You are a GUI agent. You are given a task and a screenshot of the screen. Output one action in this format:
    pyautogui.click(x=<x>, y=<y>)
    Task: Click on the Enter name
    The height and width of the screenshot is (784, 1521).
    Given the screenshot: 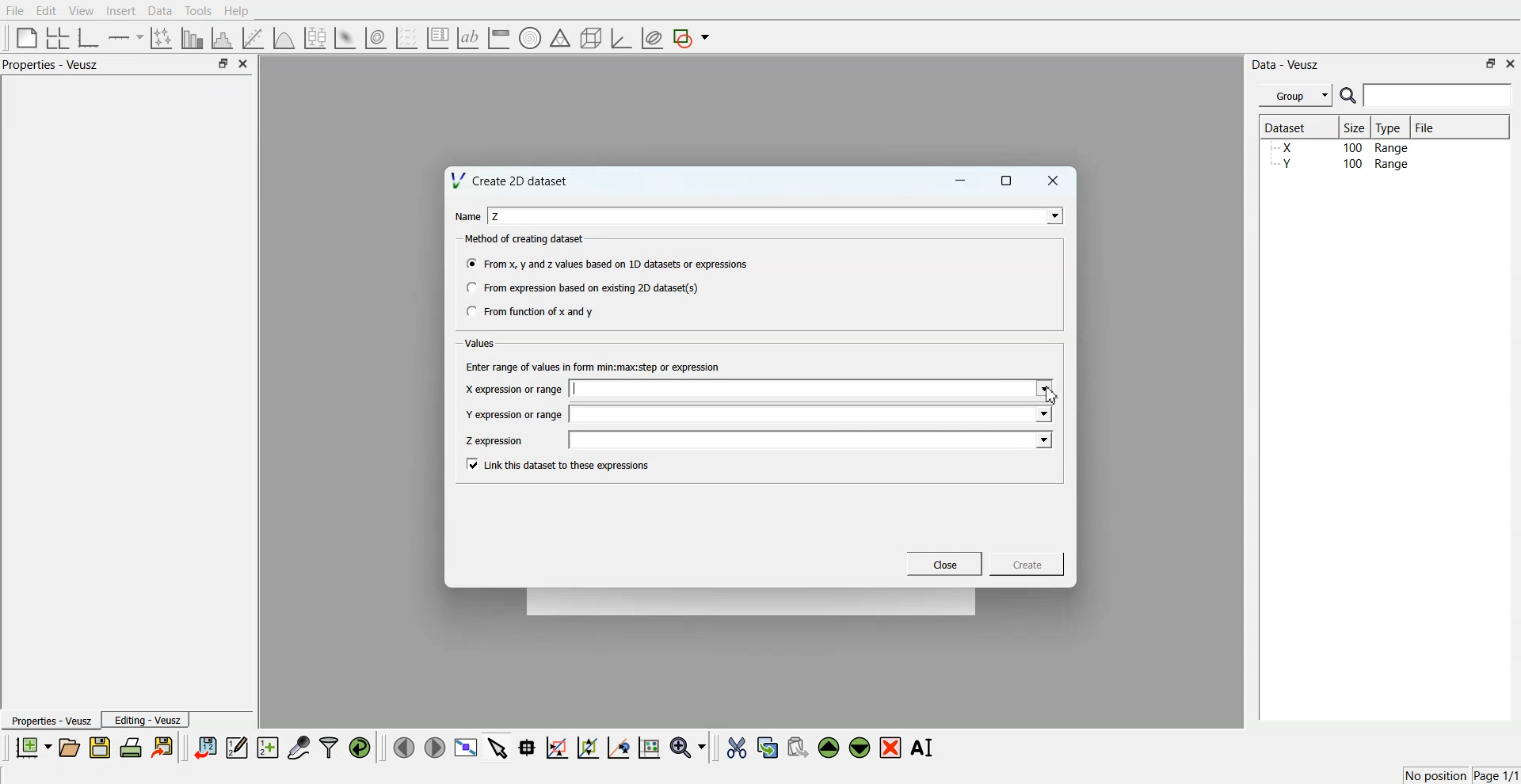 What is the action you would take?
    pyautogui.click(x=813, y=413)
    